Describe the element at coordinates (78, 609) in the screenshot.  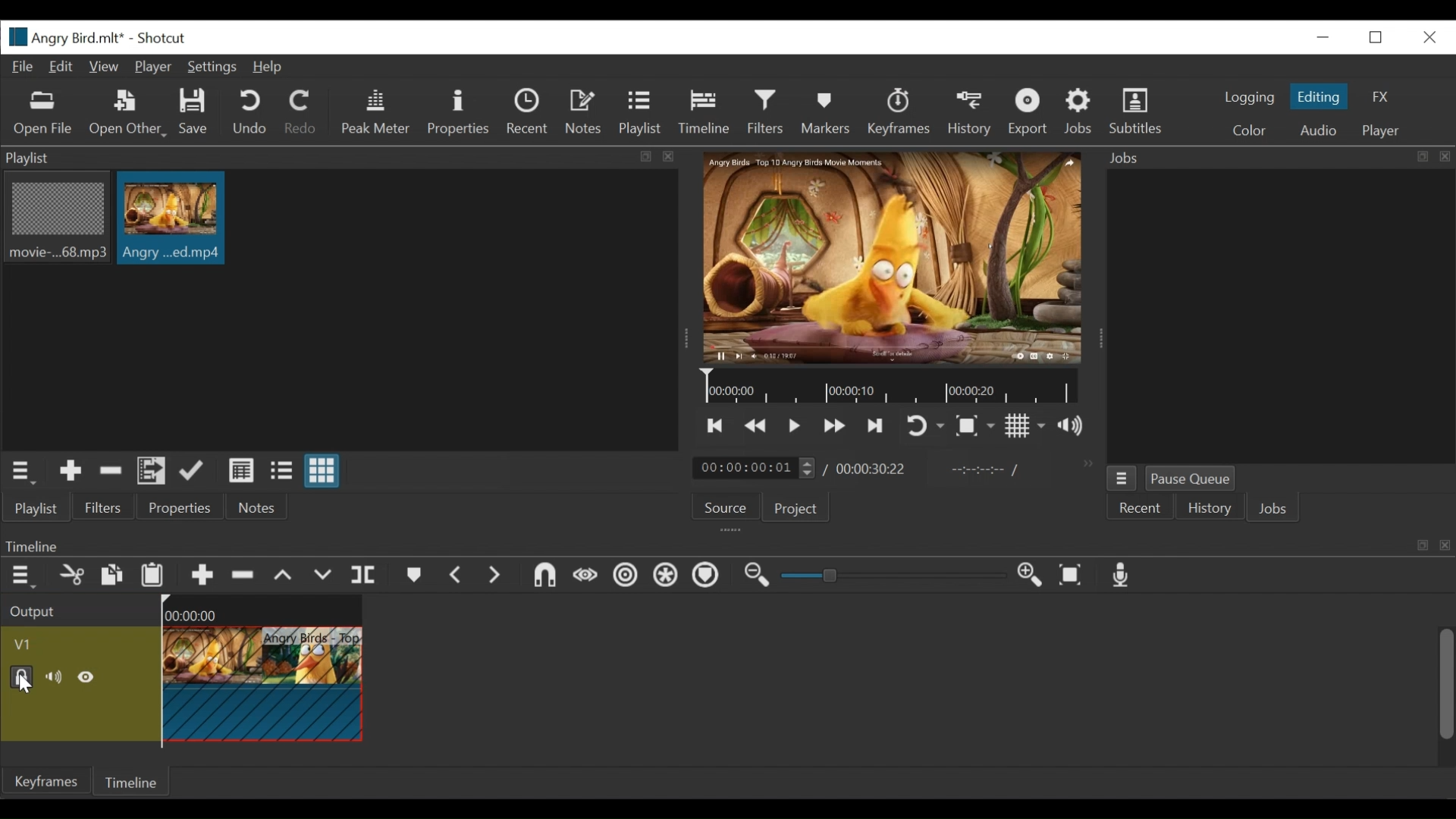
I see `Output` at that location.